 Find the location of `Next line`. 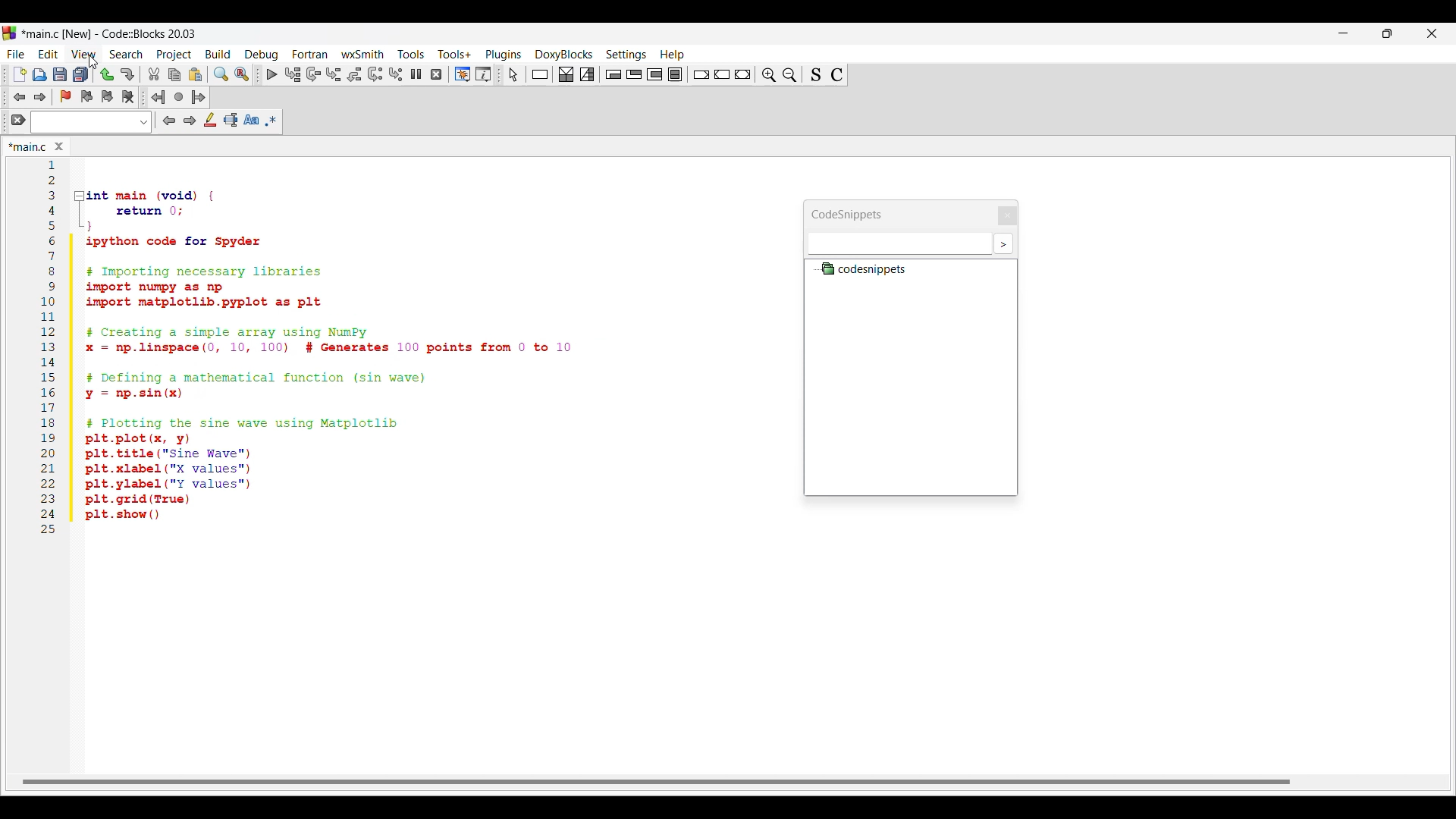

Next line is located at coordinates (314, 74).